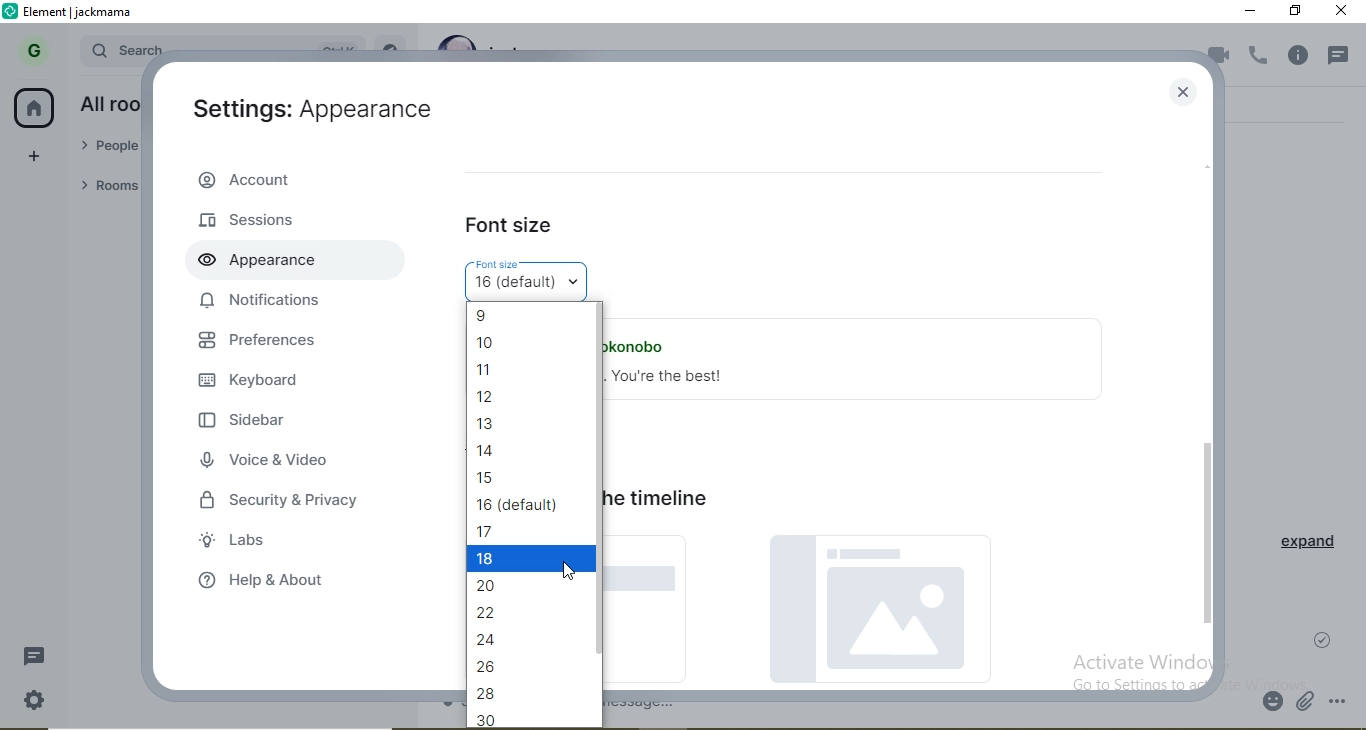 This screenshot has height=730, width=1366. What do you see at coordinates (109, 148) in the screenshot?
I see `people` at bounding box center [109, 148].